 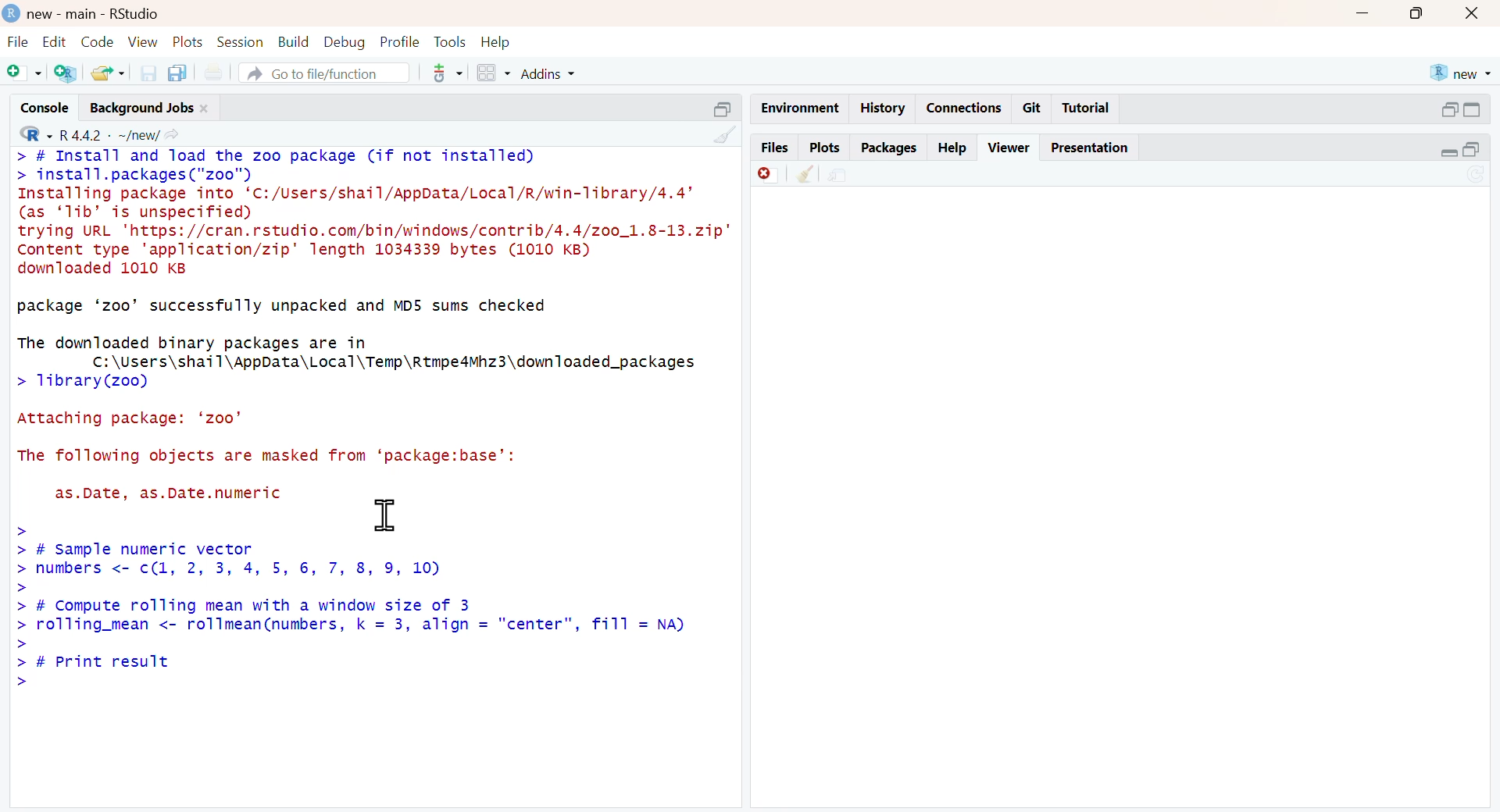 I want to click on close, so click(x=1472, y=13).